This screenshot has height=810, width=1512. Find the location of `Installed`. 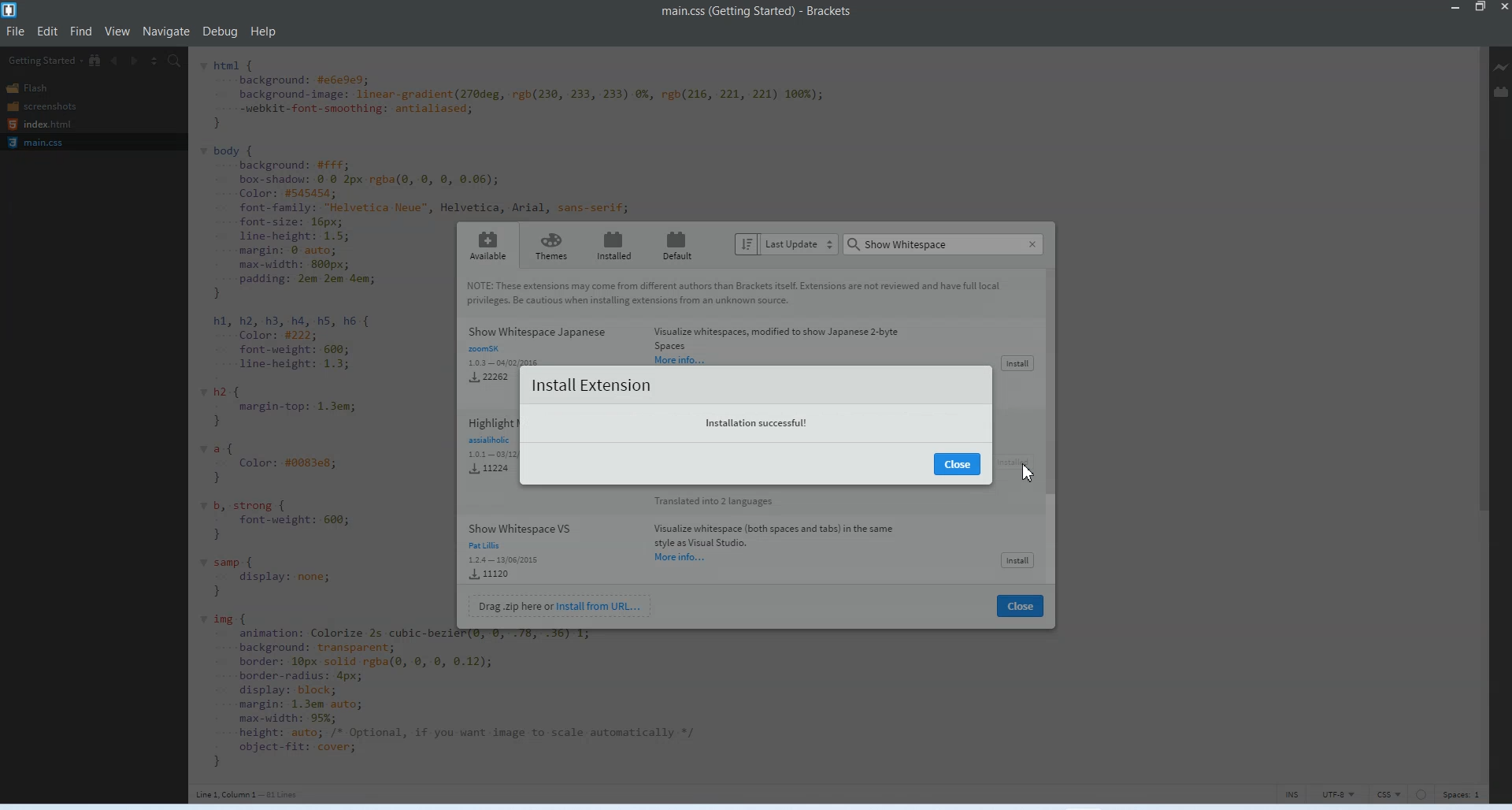

Installed is located at coordinates (610, 245).